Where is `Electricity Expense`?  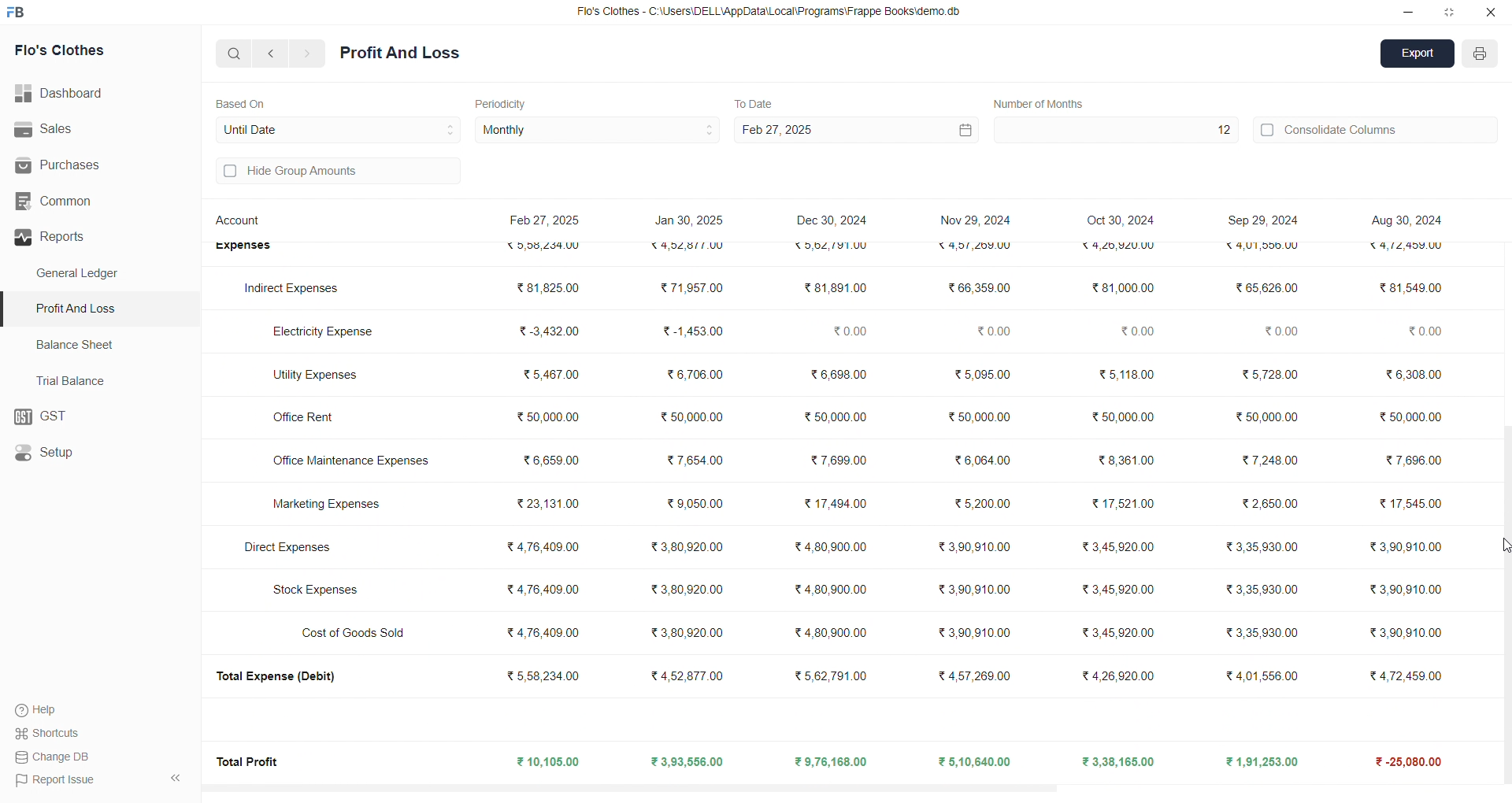
Electricity Expense is located at coordinates (326, 329).